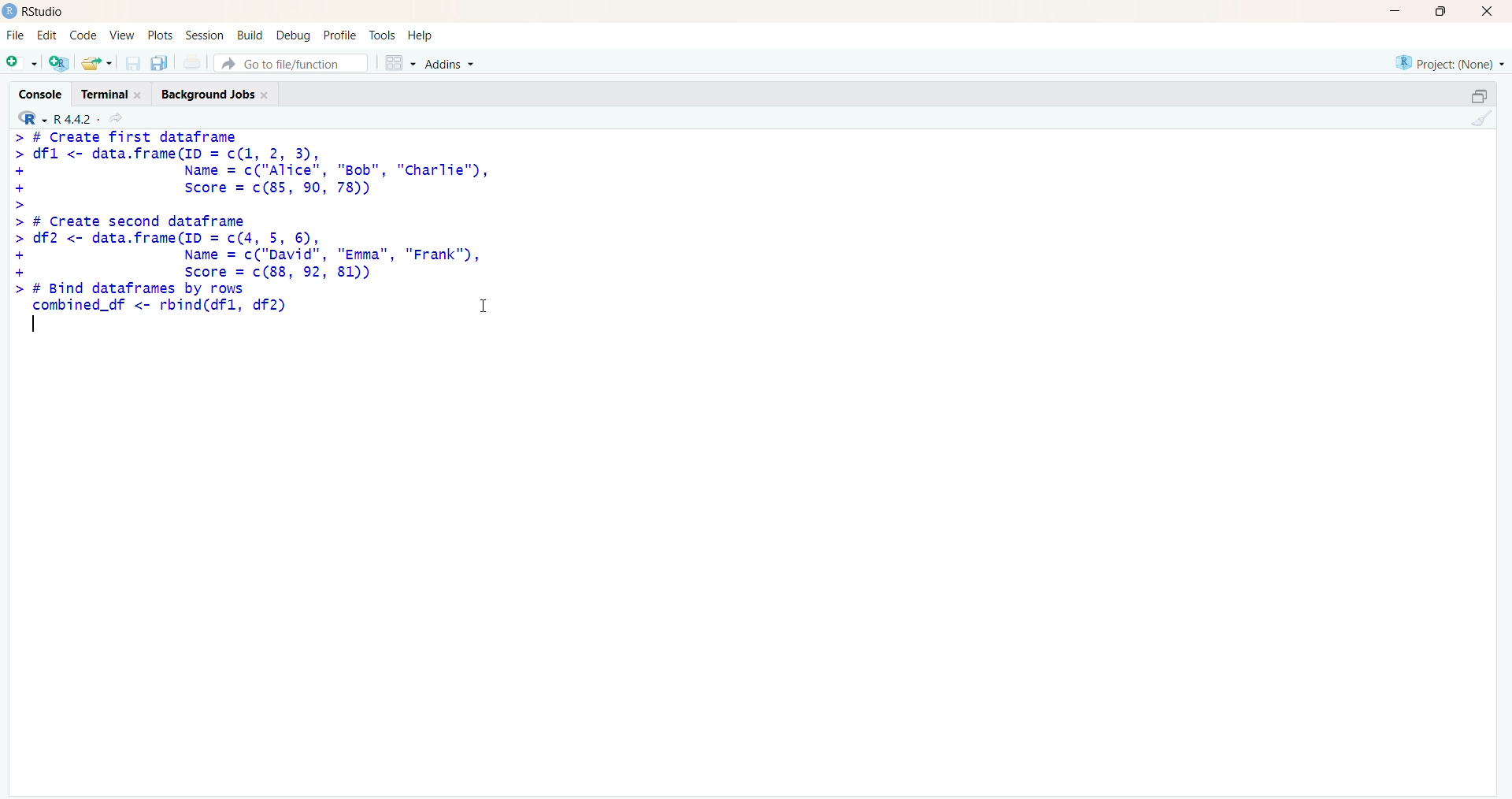 This screenshot has height=799, width=1512. Describe the element at coordinates (112, 93) in the screenshot. I see `Terminal` at that location.